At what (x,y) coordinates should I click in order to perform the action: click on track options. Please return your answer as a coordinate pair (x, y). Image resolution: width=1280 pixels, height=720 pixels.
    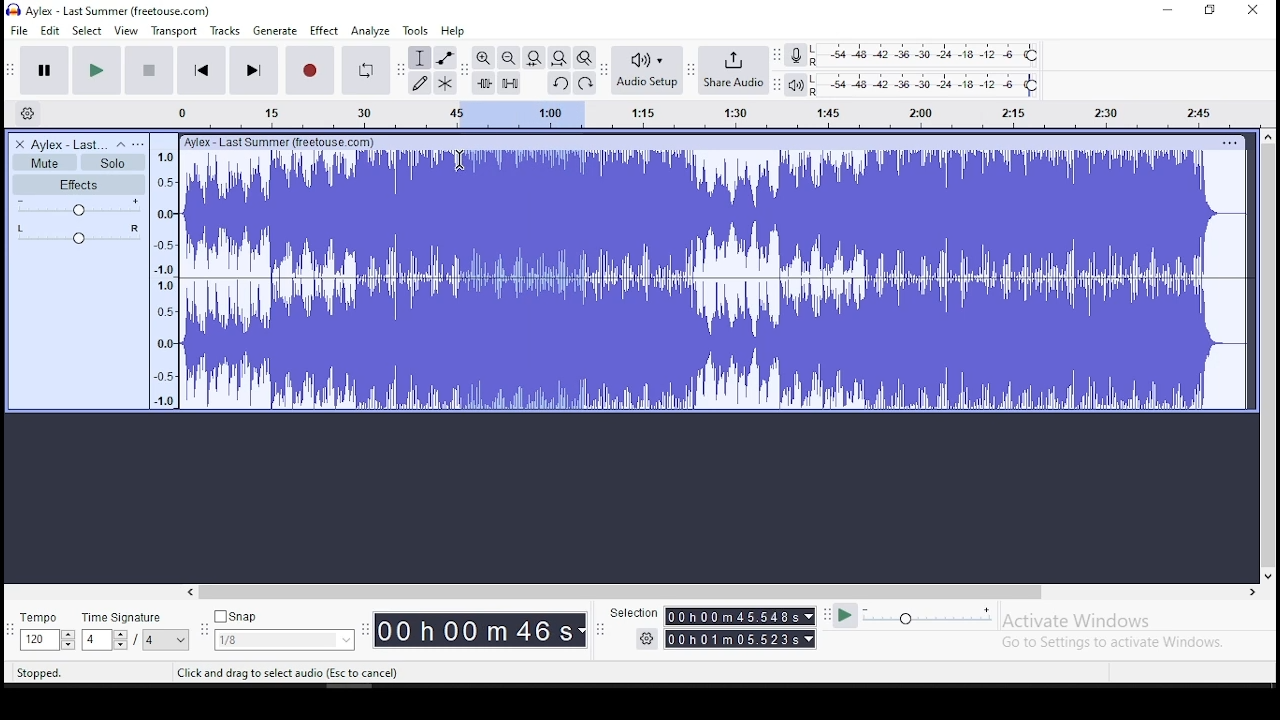
    Looking at the image, I should click on (1231, 143).